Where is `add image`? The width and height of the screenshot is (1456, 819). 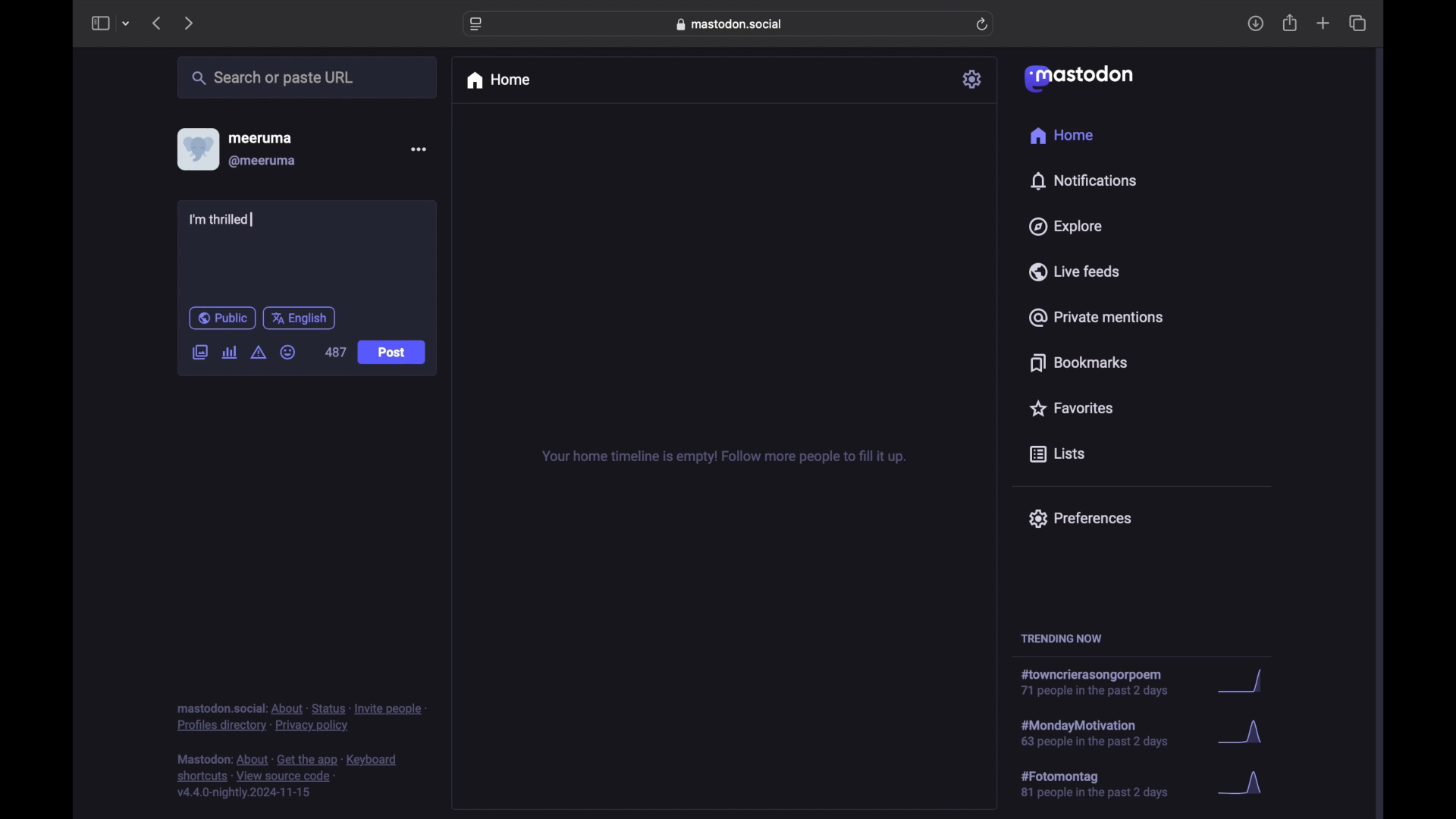
add image is located at coordinates (199, 353).